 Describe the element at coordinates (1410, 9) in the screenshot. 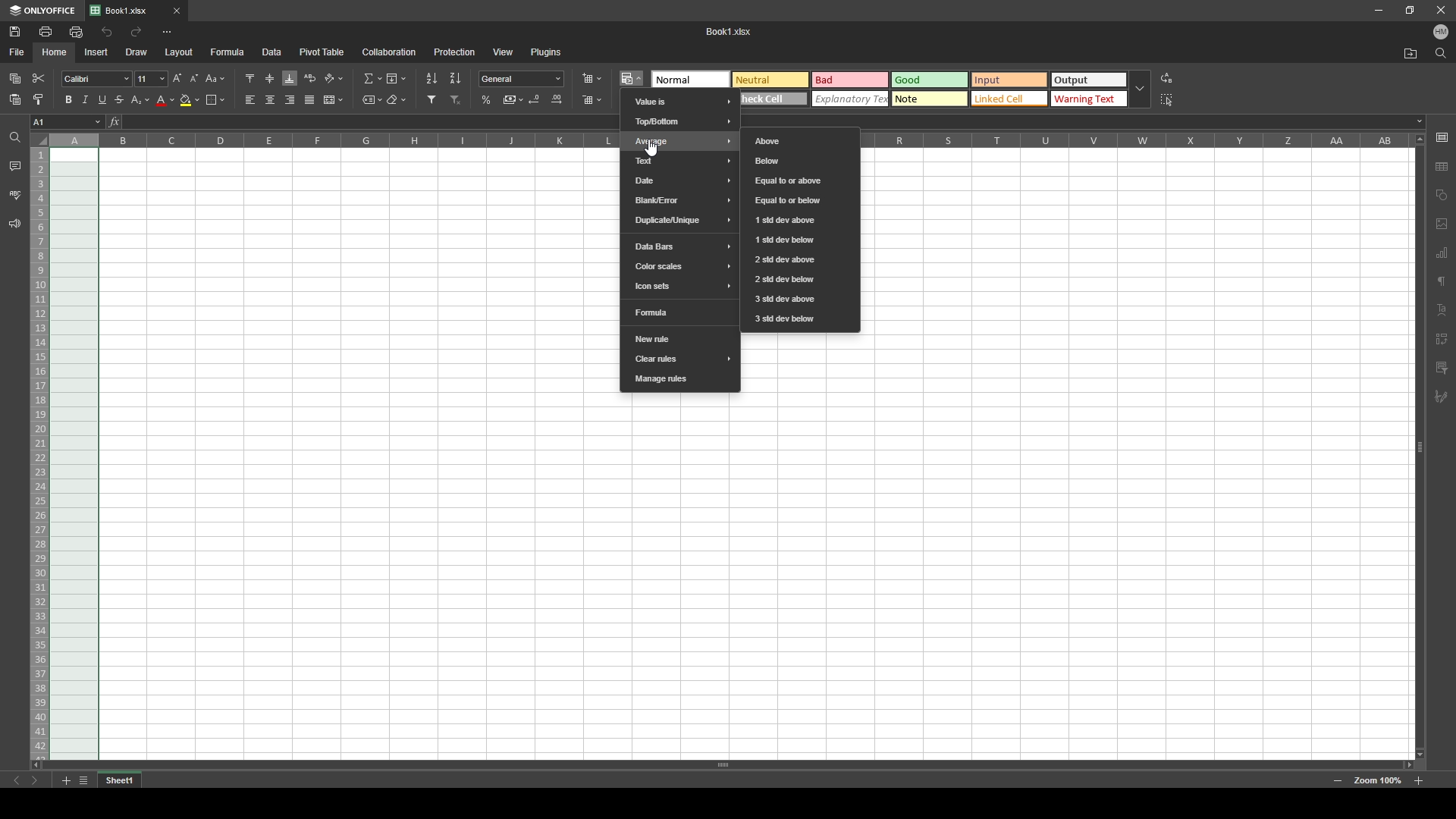

I see `resize` at that location.